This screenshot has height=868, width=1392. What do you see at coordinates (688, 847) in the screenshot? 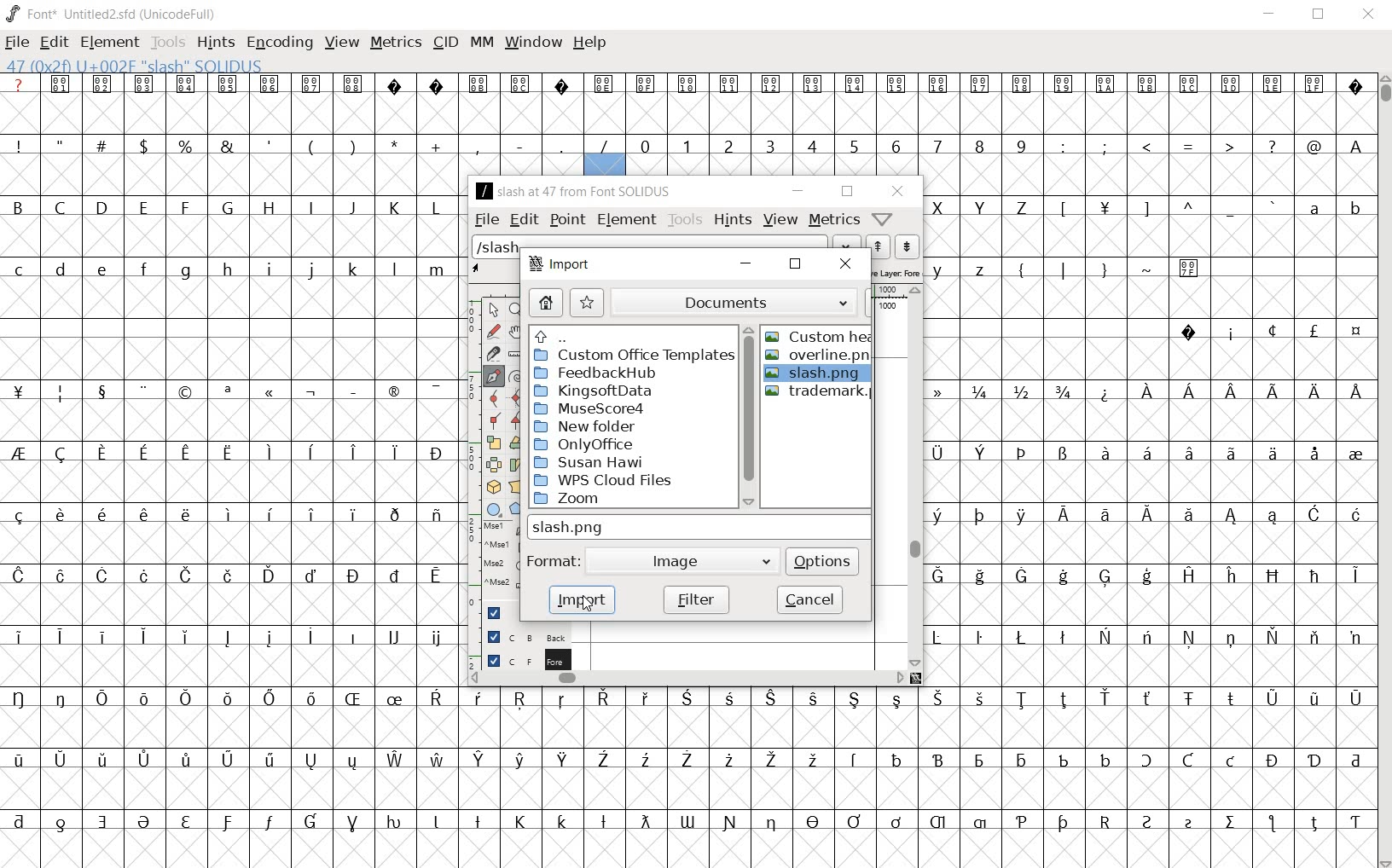
I see `empty cells` at bounding box center [688, 847].